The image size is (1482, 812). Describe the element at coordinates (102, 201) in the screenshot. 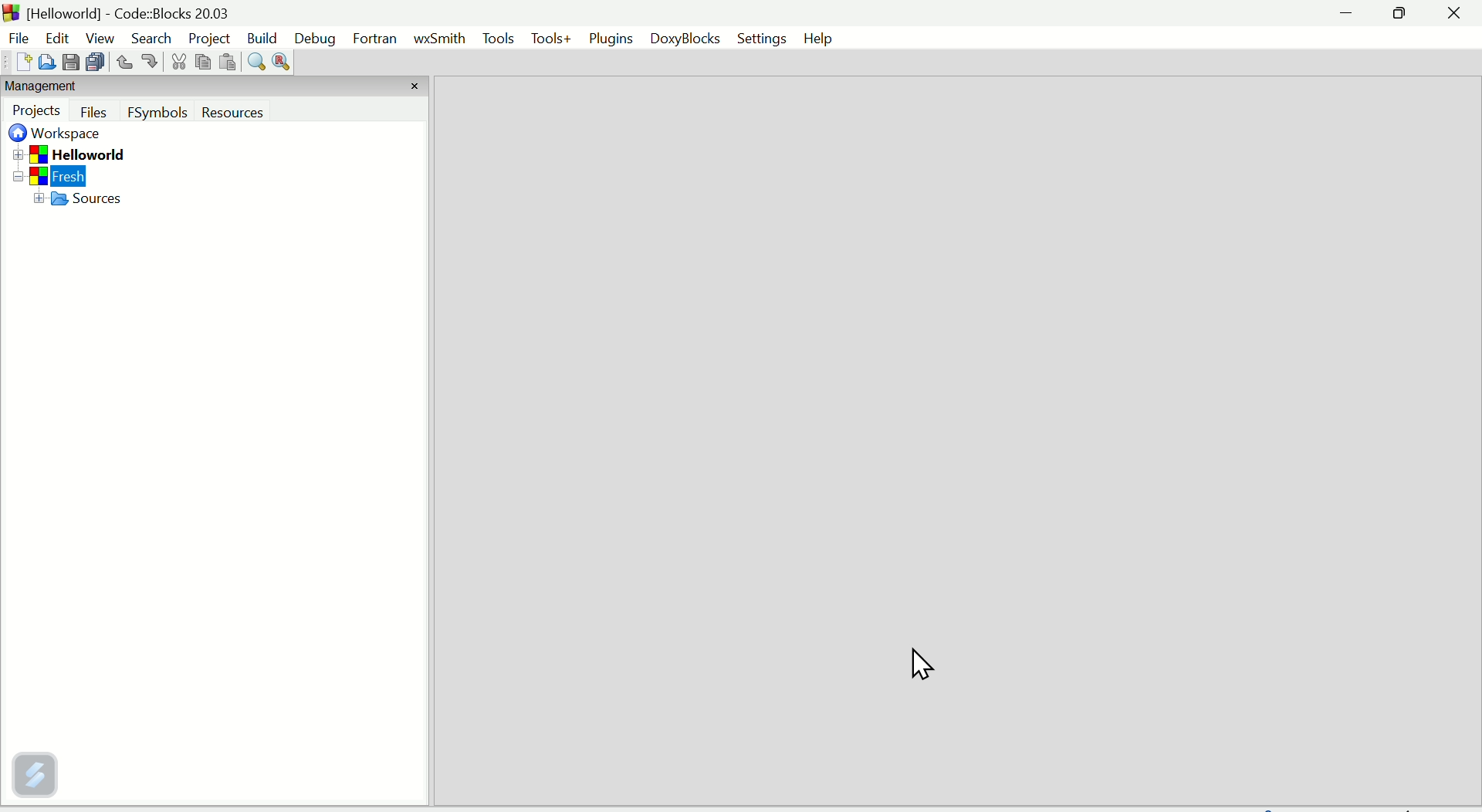

I see `Sources` at that location.